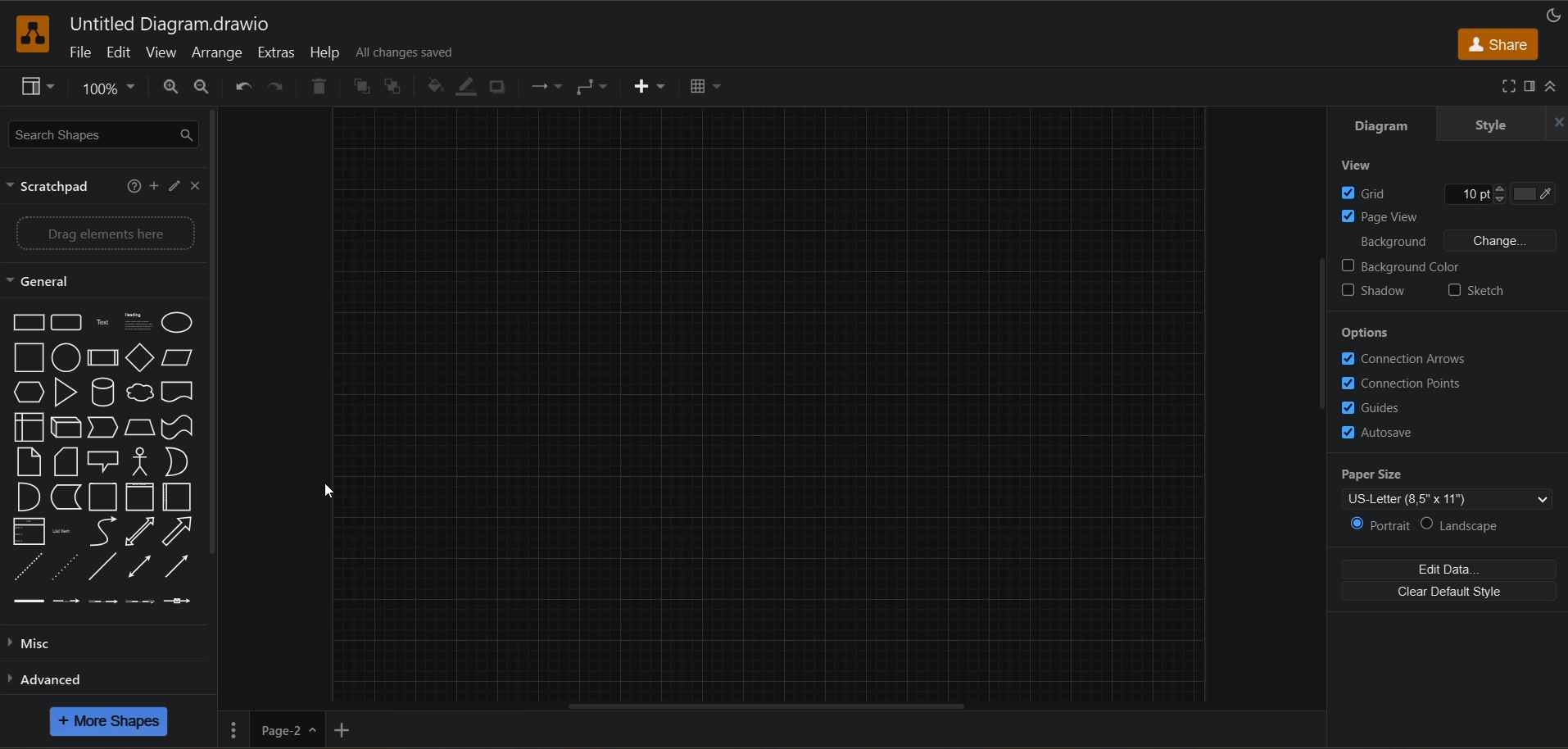 Image resolution: width=1568 pixels, height=749 pixels. What do you see at coordinates (1392, 125) in the screenshot?
I see `diagram` at bounding box center [1392, 125].